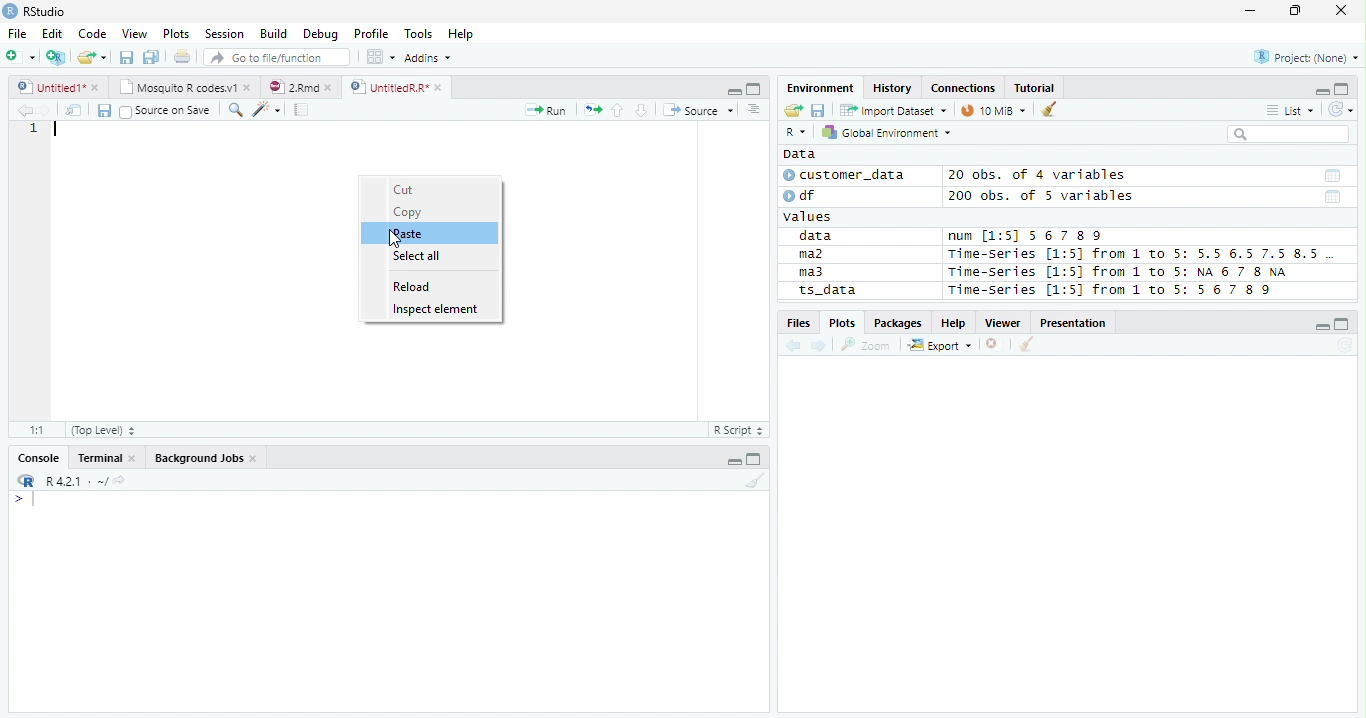  Describe the element at coordinates (1344, 324) in the screenshot. I see `Maximize` at that location.